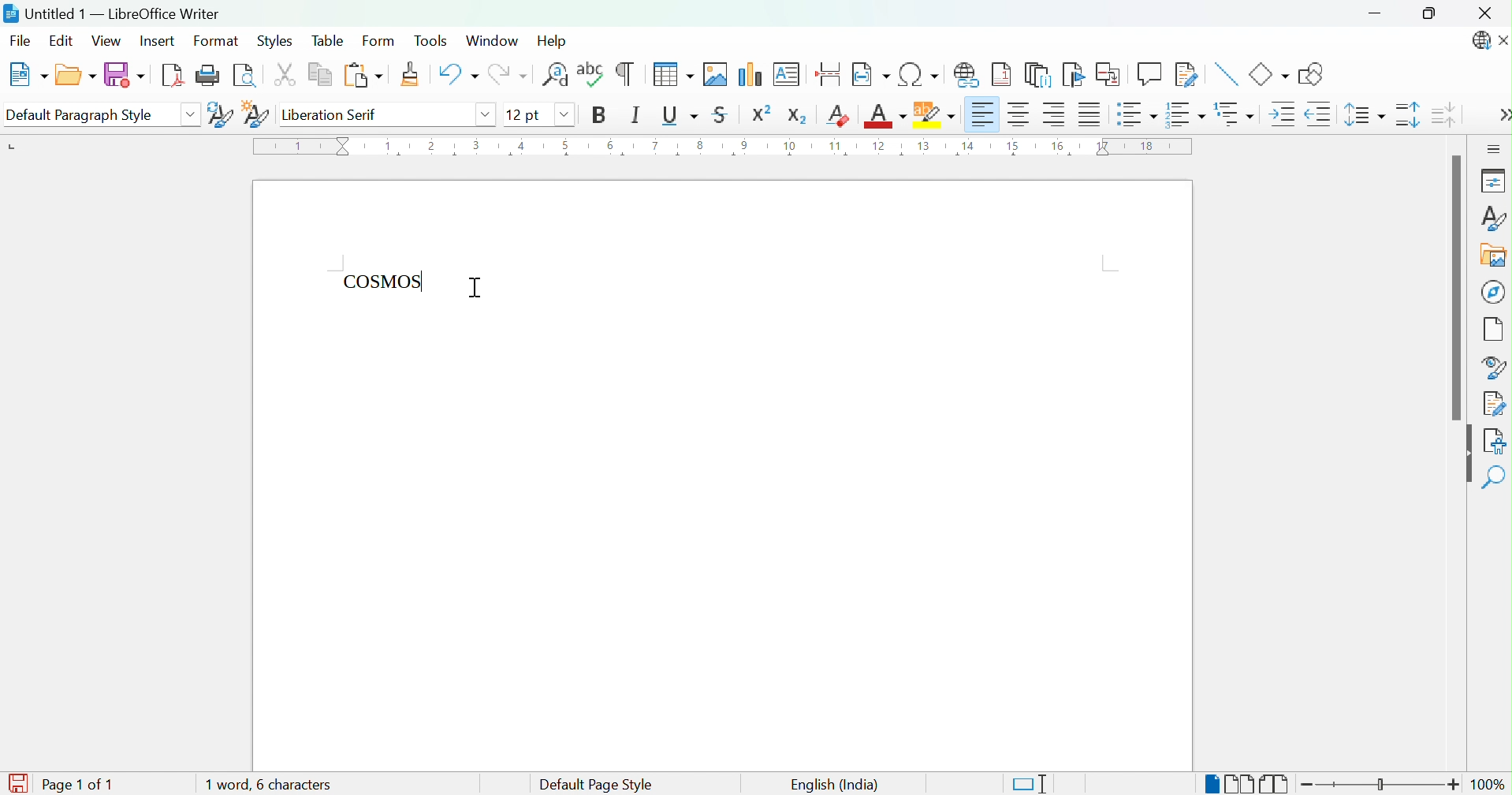 The height and width of the screenshot is (795, 1512). What do you see at coordinates (173, 77) in the screenshot?
I see `Export as PDF` at bounding box center [173, 77].